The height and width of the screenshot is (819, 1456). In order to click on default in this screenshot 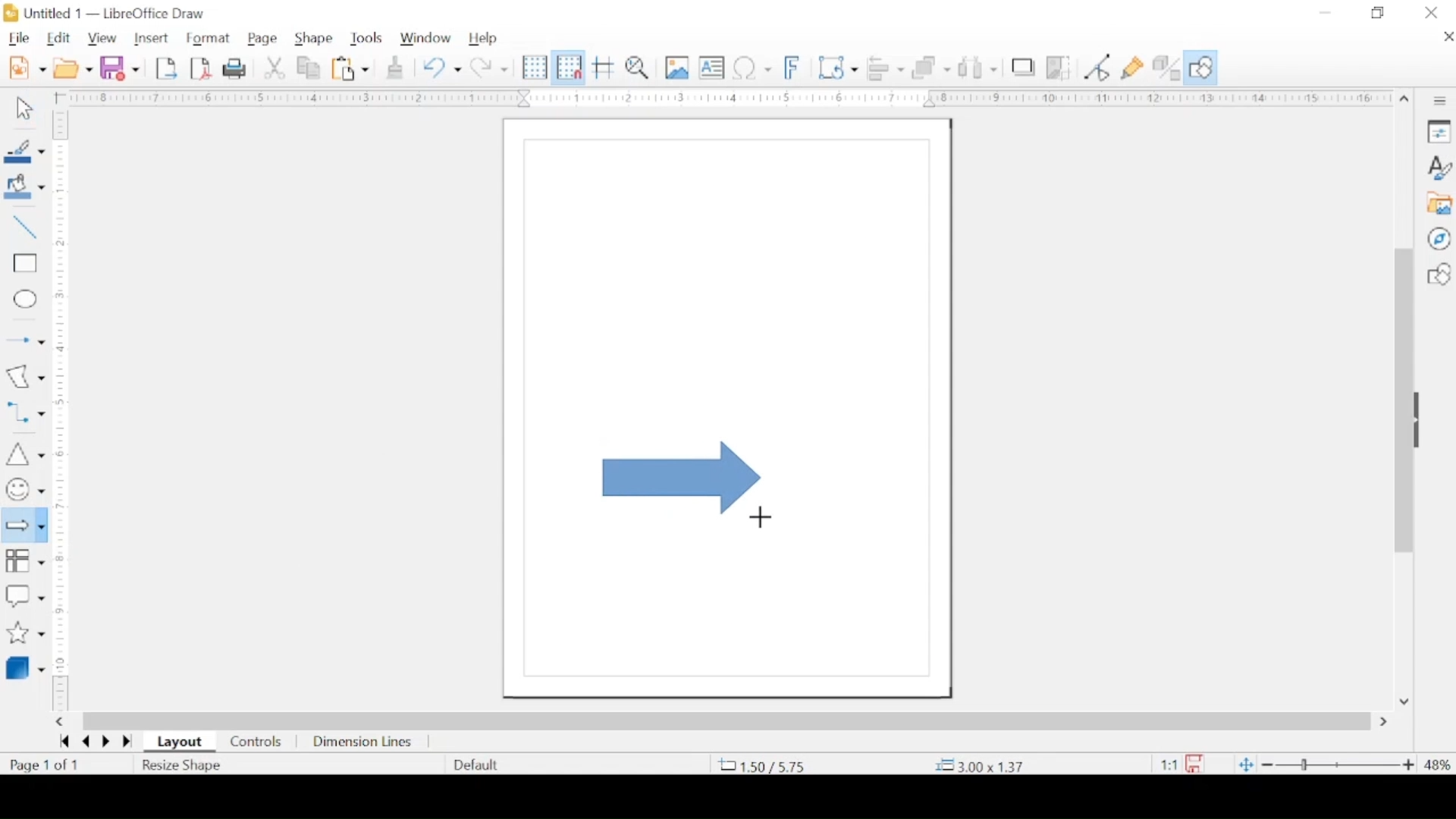, I will do `click(477, 764)`.